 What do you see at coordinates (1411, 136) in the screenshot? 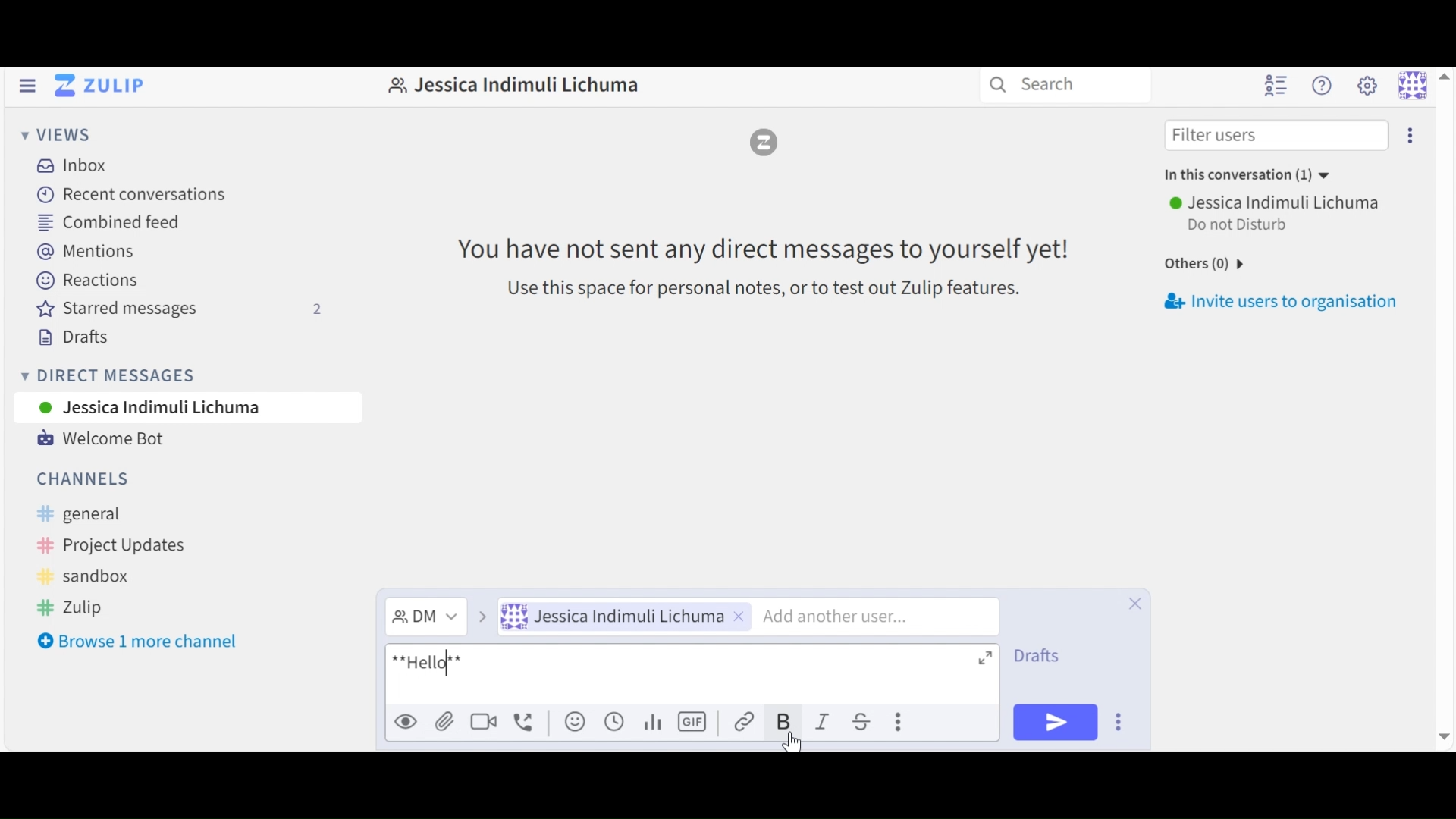
I see `more options` at bounding box center [1411, 136].